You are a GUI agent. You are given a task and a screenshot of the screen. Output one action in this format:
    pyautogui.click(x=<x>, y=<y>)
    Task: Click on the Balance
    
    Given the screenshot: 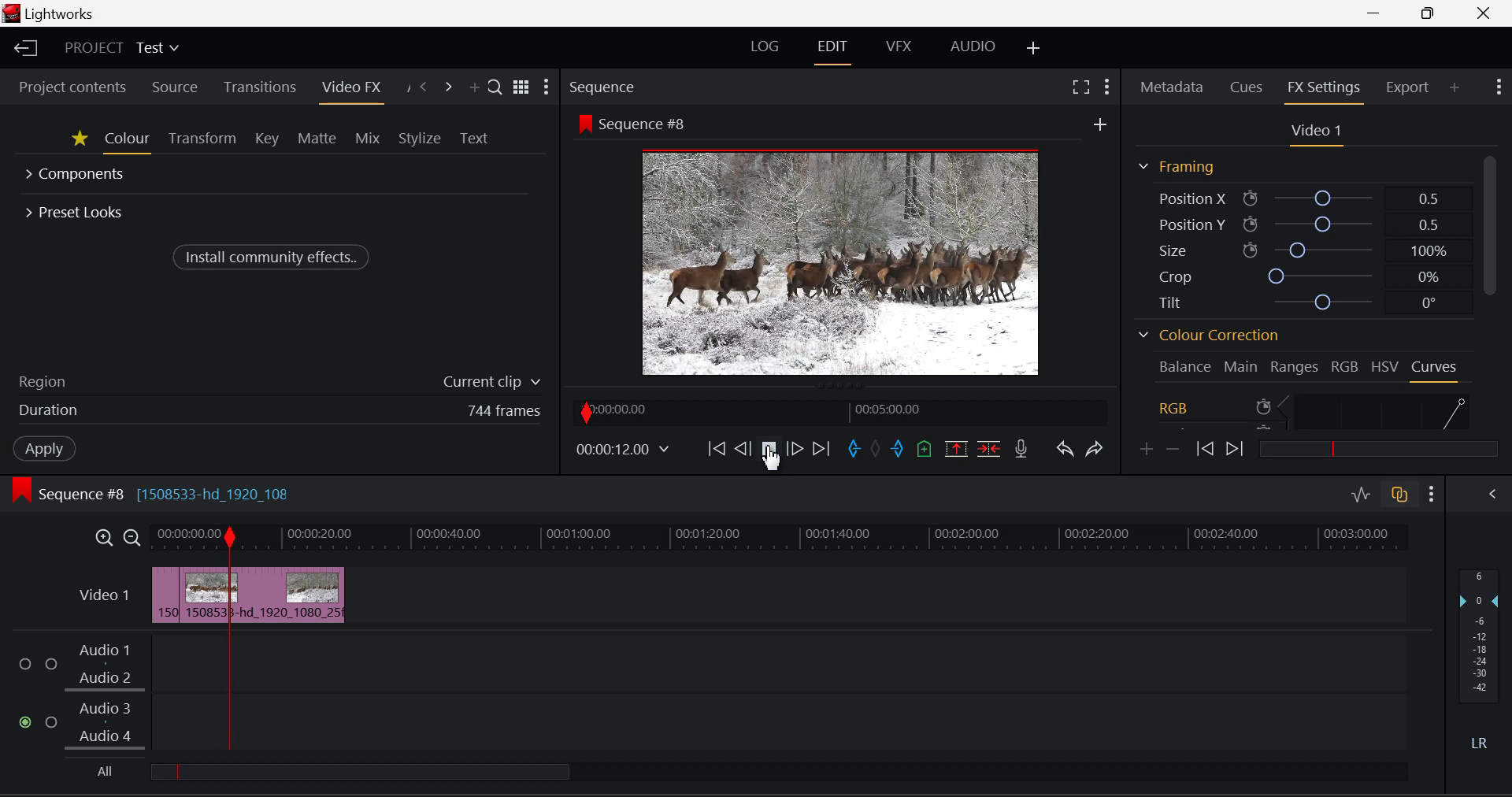 What is the action you would take?
    pyautogui.click(x=1184, y=366)
    